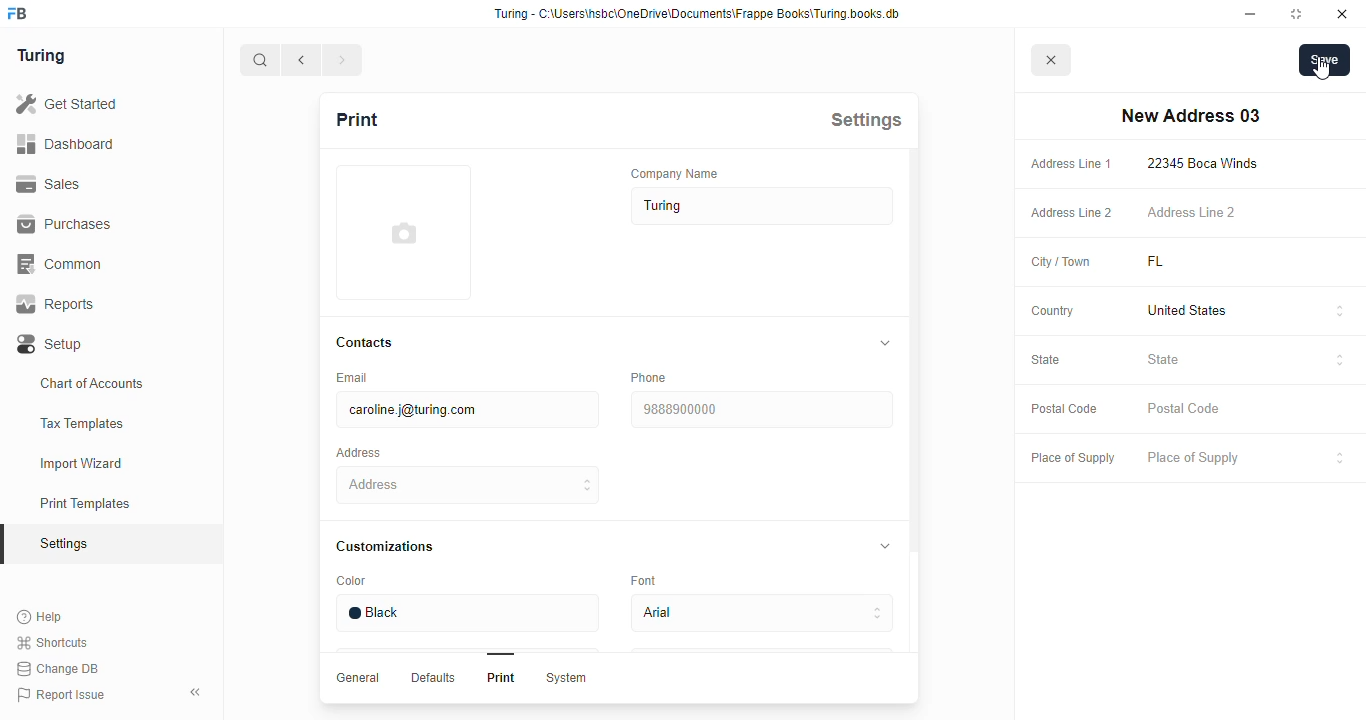 The image size is (1366, 720). Describe the element at coordinates (1191, 211) in the screenshot. I see `address line 2` at that location.